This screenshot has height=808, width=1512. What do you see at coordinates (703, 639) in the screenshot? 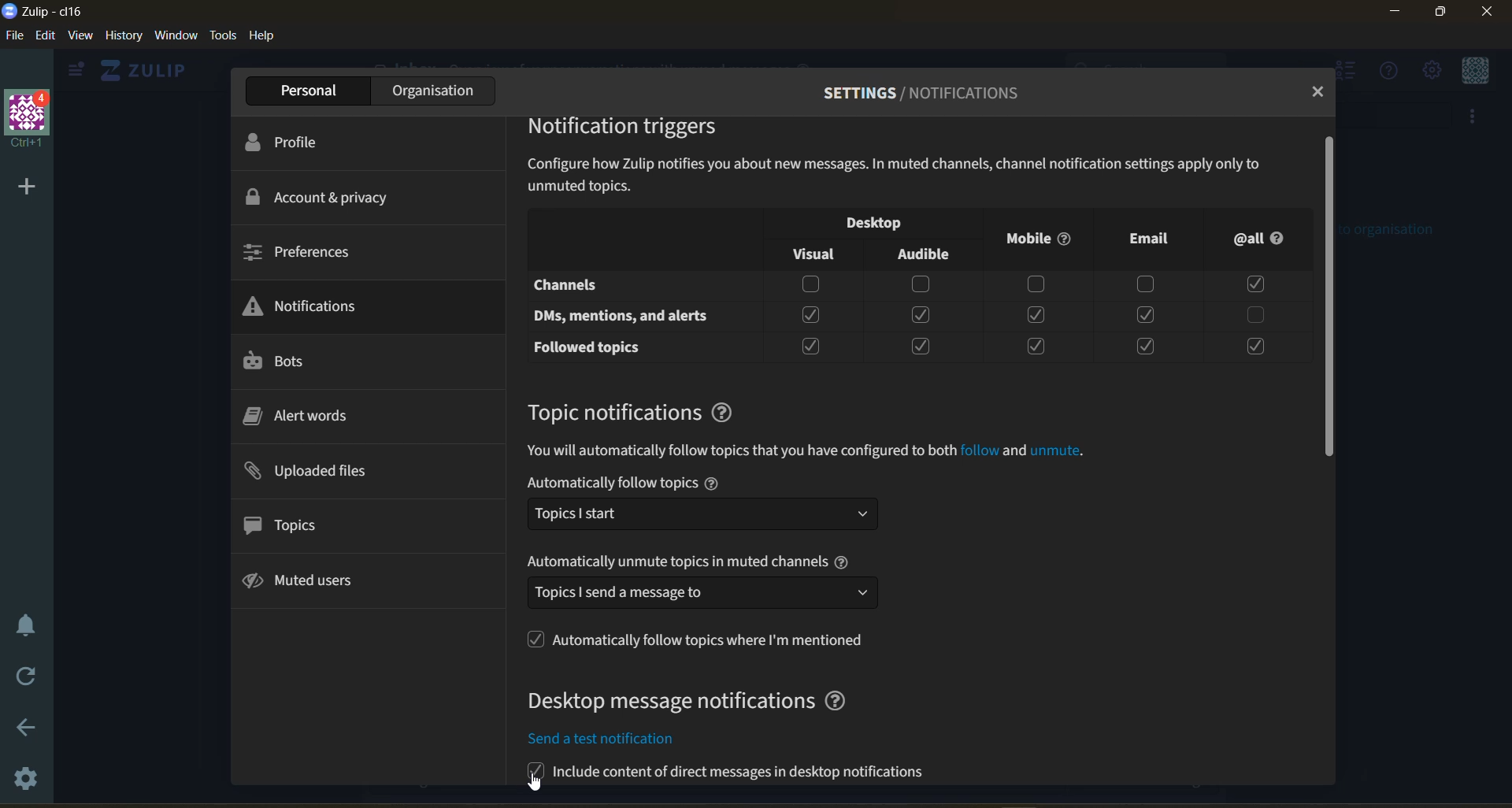
I see `follow topics` at bounding box center [703, 639].